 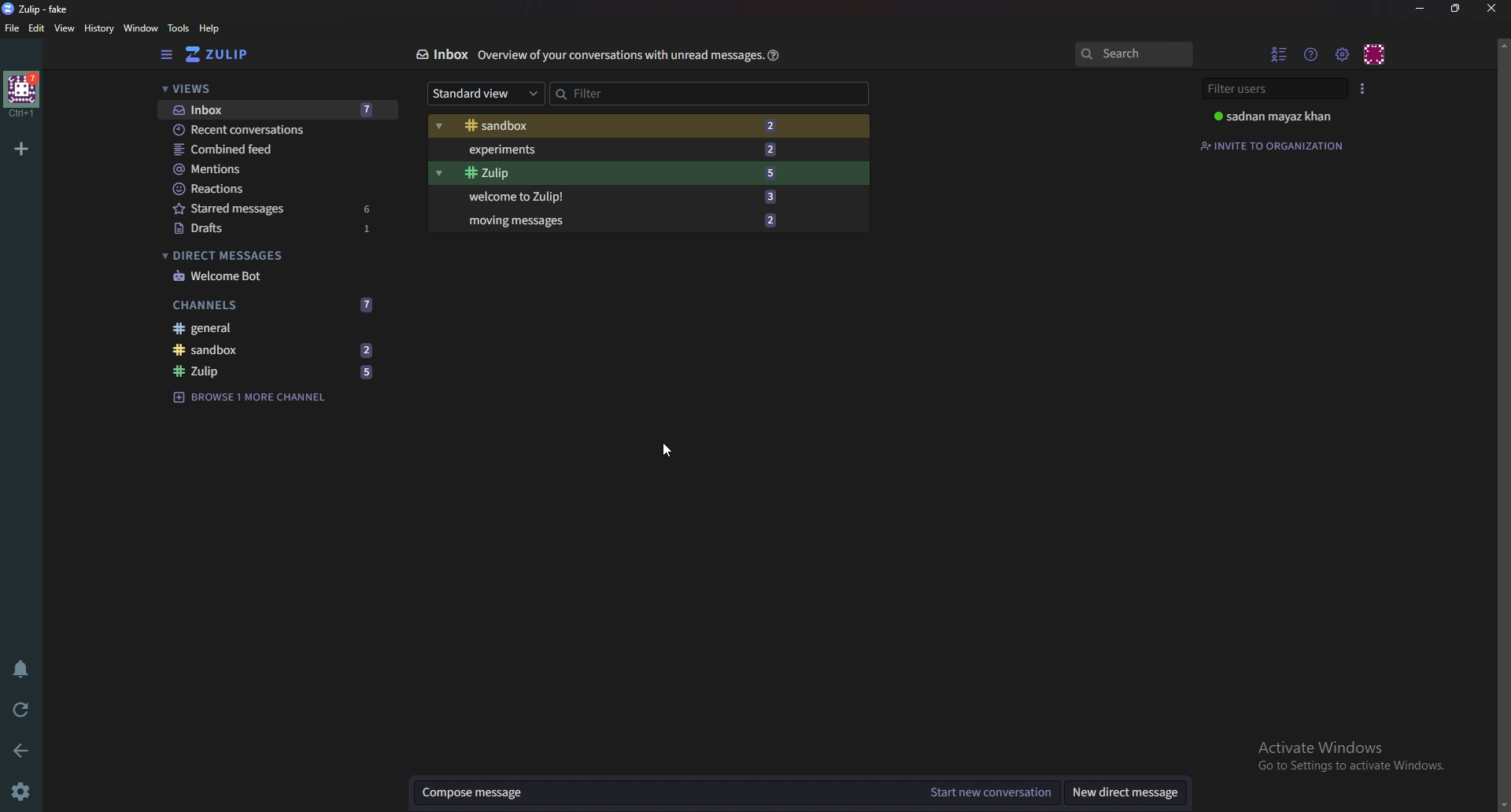 I want to click on drafts, so click(x=272, y=230).